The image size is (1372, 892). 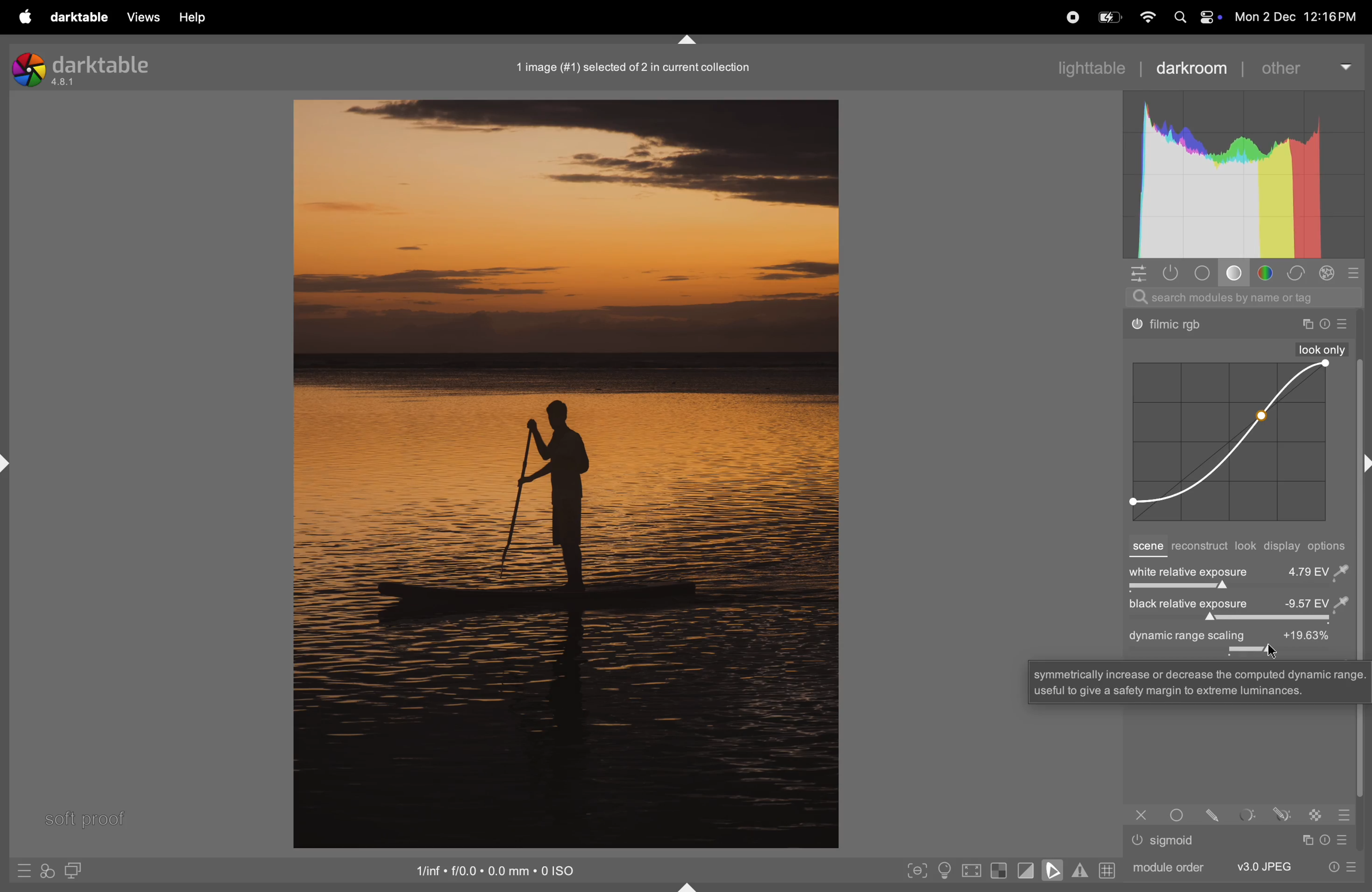 What do you see at coordinates (1304, 66) in the screenshot?
I see `other` at bounding box center [1304, 66].